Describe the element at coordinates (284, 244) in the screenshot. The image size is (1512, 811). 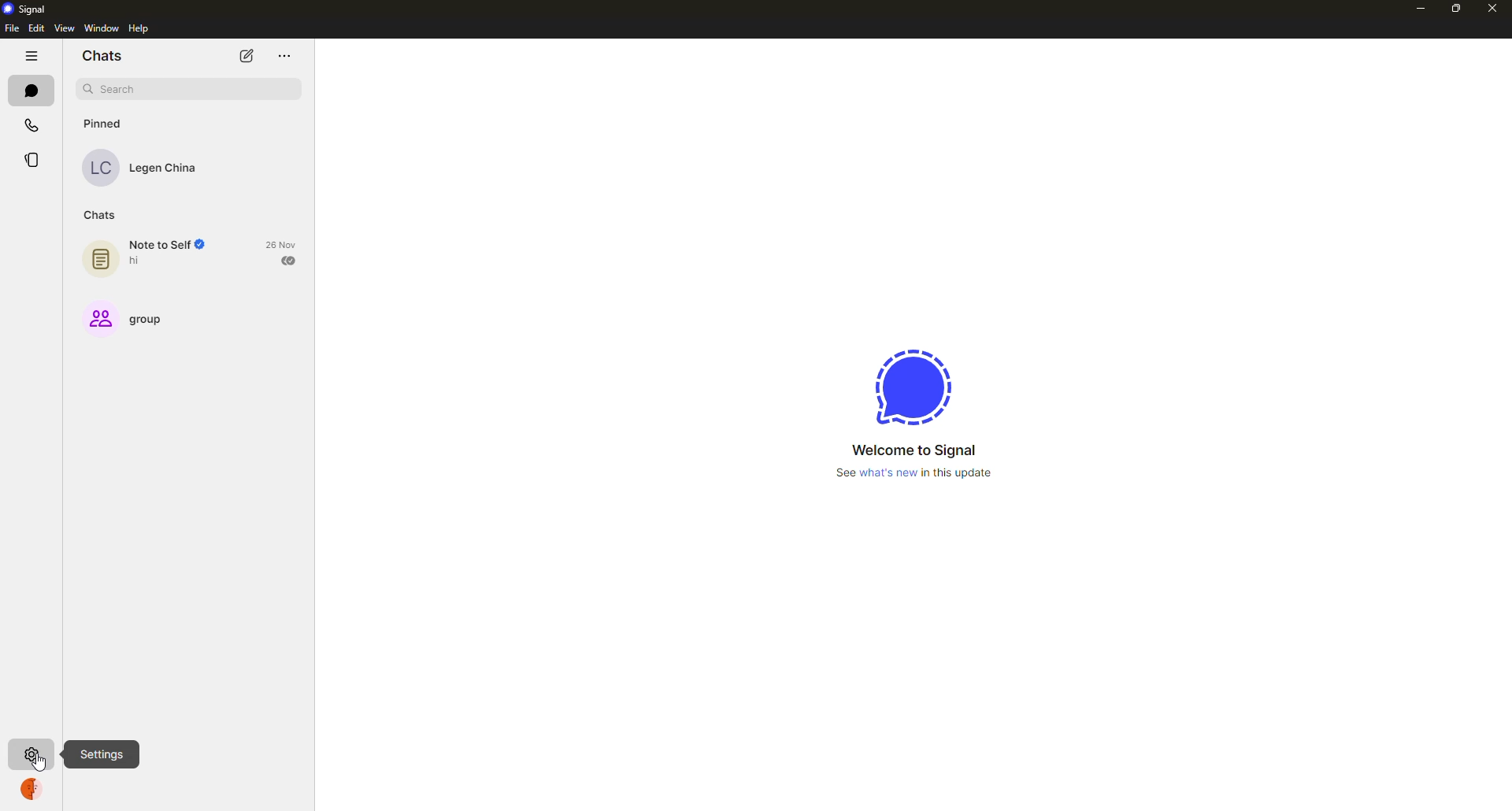
I see `26 Nov` at that location.